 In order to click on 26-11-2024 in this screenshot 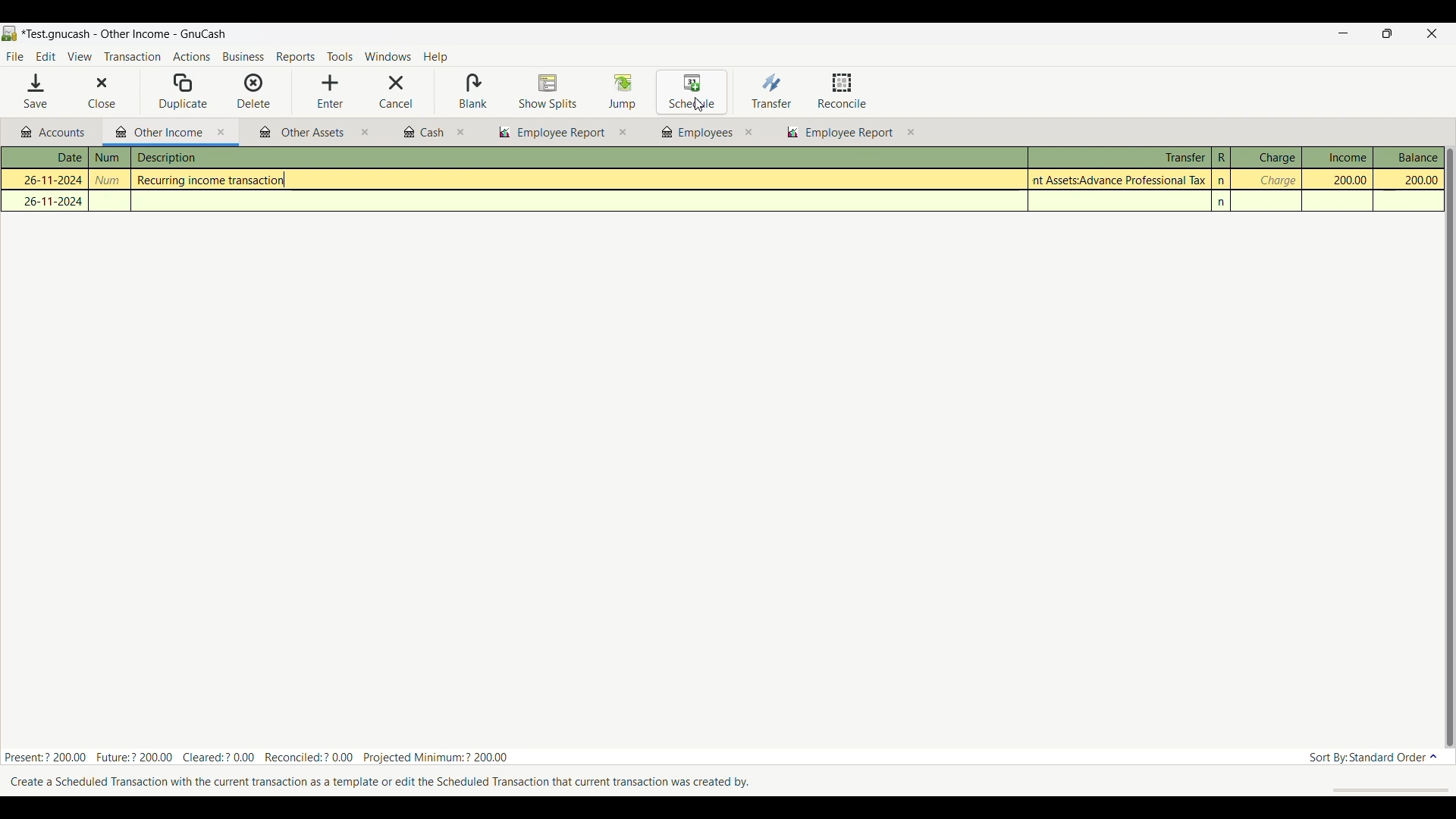, I will do `click(49, 201)`.